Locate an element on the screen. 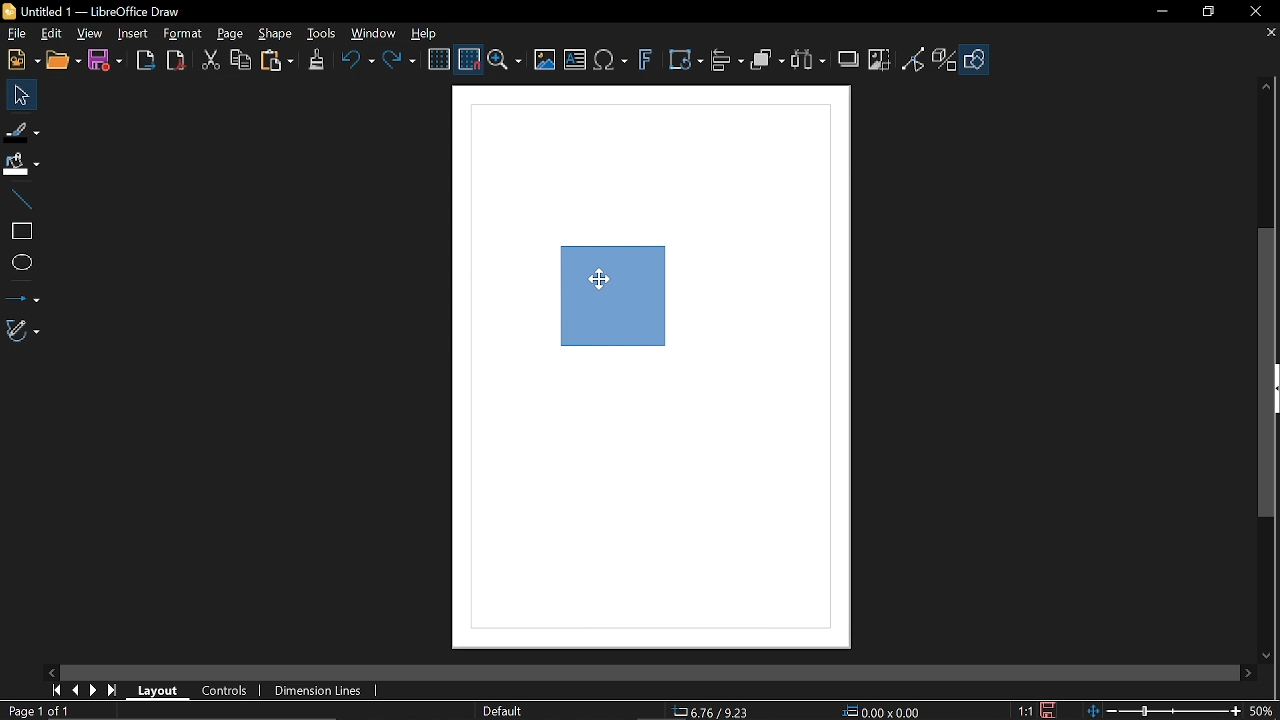 Image resolution: width=1280 pixels, height=720 pixels. layout is located at coordinates (158, 692).